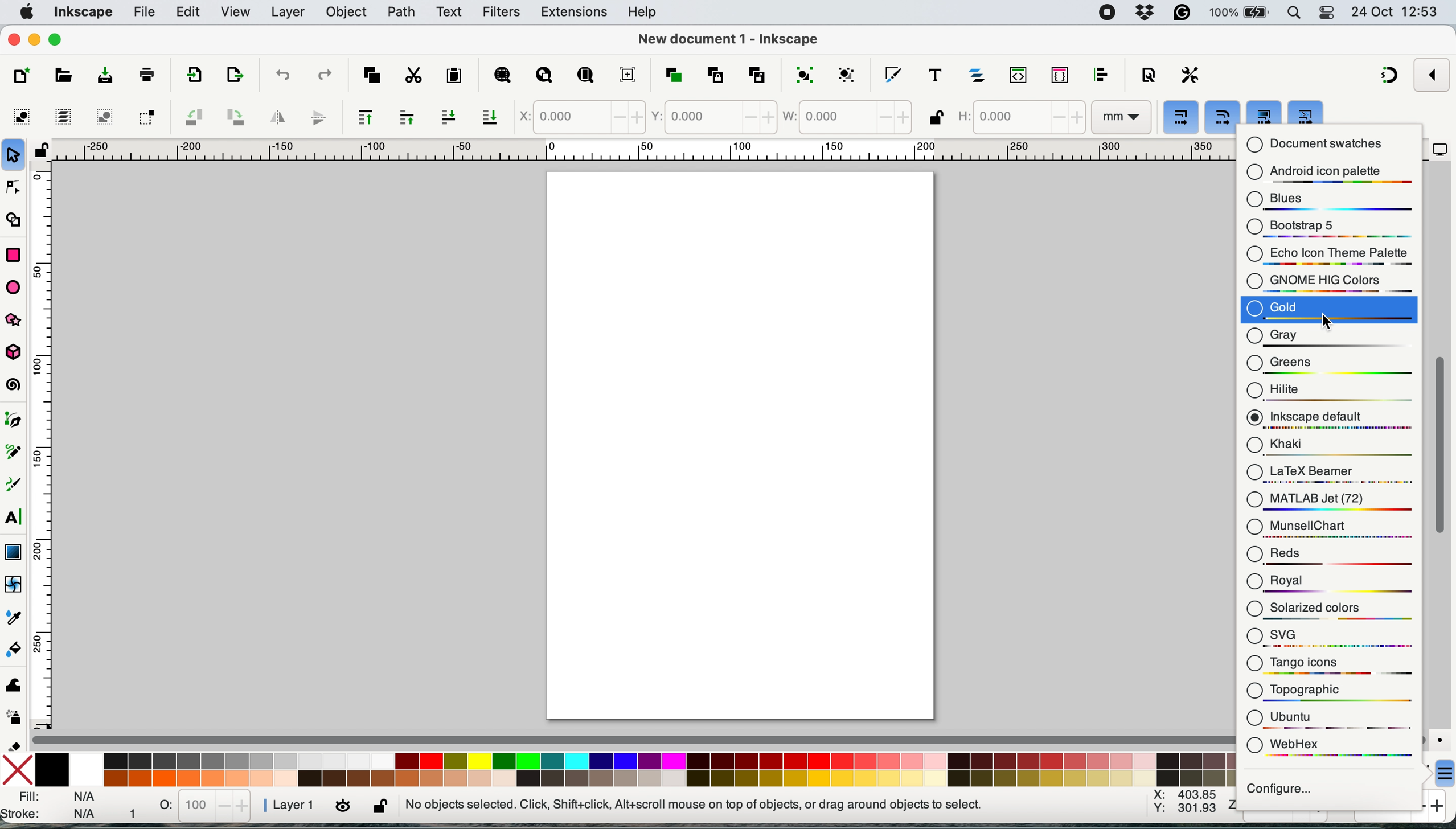 Image resolution: width=1456 pixels, height=829 pixels. Describe the element at coordinates (1325, 556) in the screenshot. I see `reds` at that location.